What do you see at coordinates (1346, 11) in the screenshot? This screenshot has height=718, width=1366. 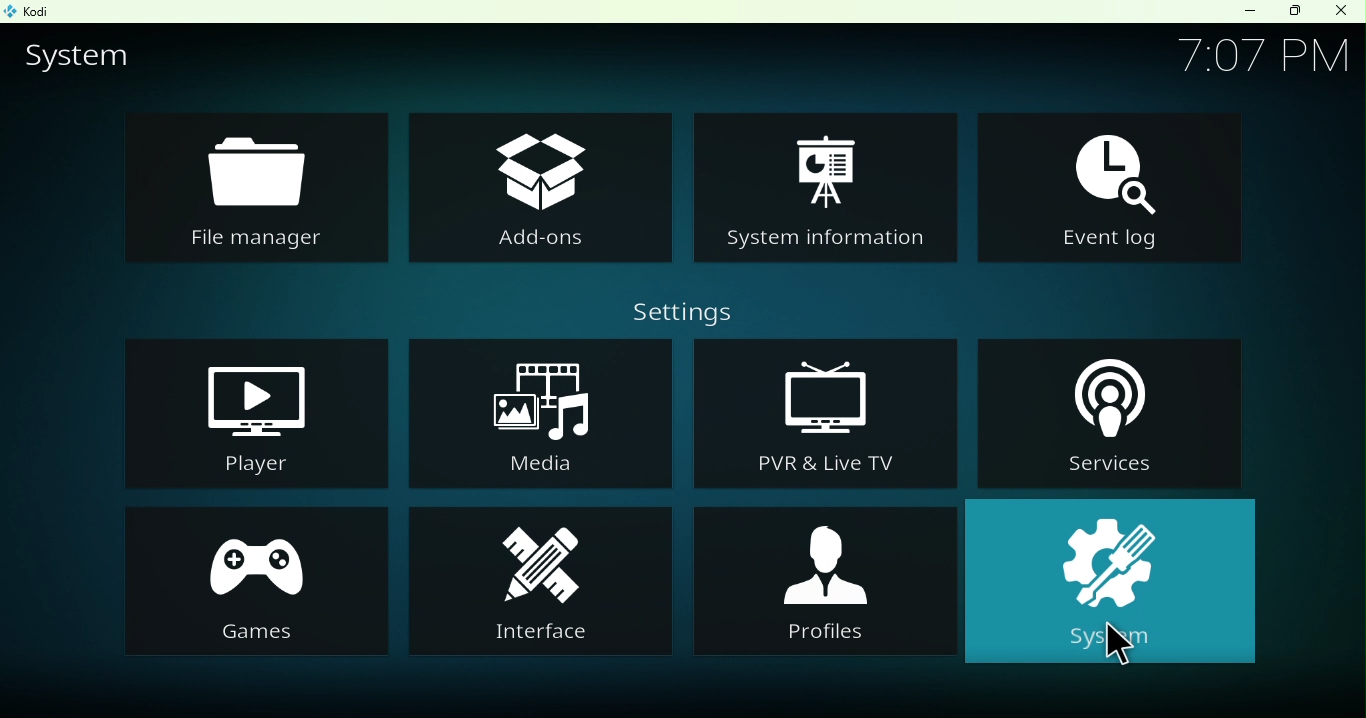 I see `Close` at bounding box center [1346, 11].